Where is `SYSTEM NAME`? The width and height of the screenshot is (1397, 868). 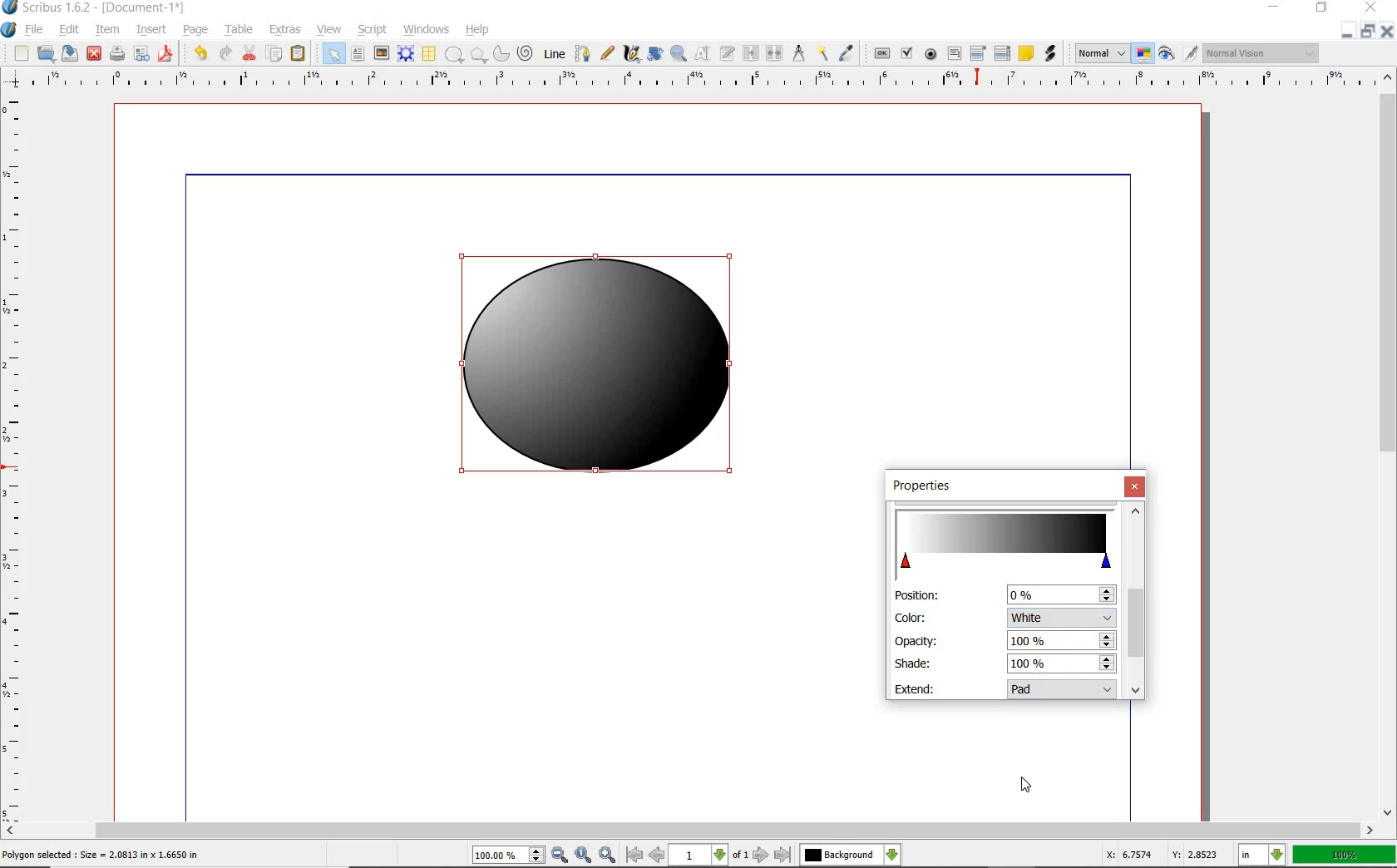 SYSTEM NAME is located at coordinates (95, 7).